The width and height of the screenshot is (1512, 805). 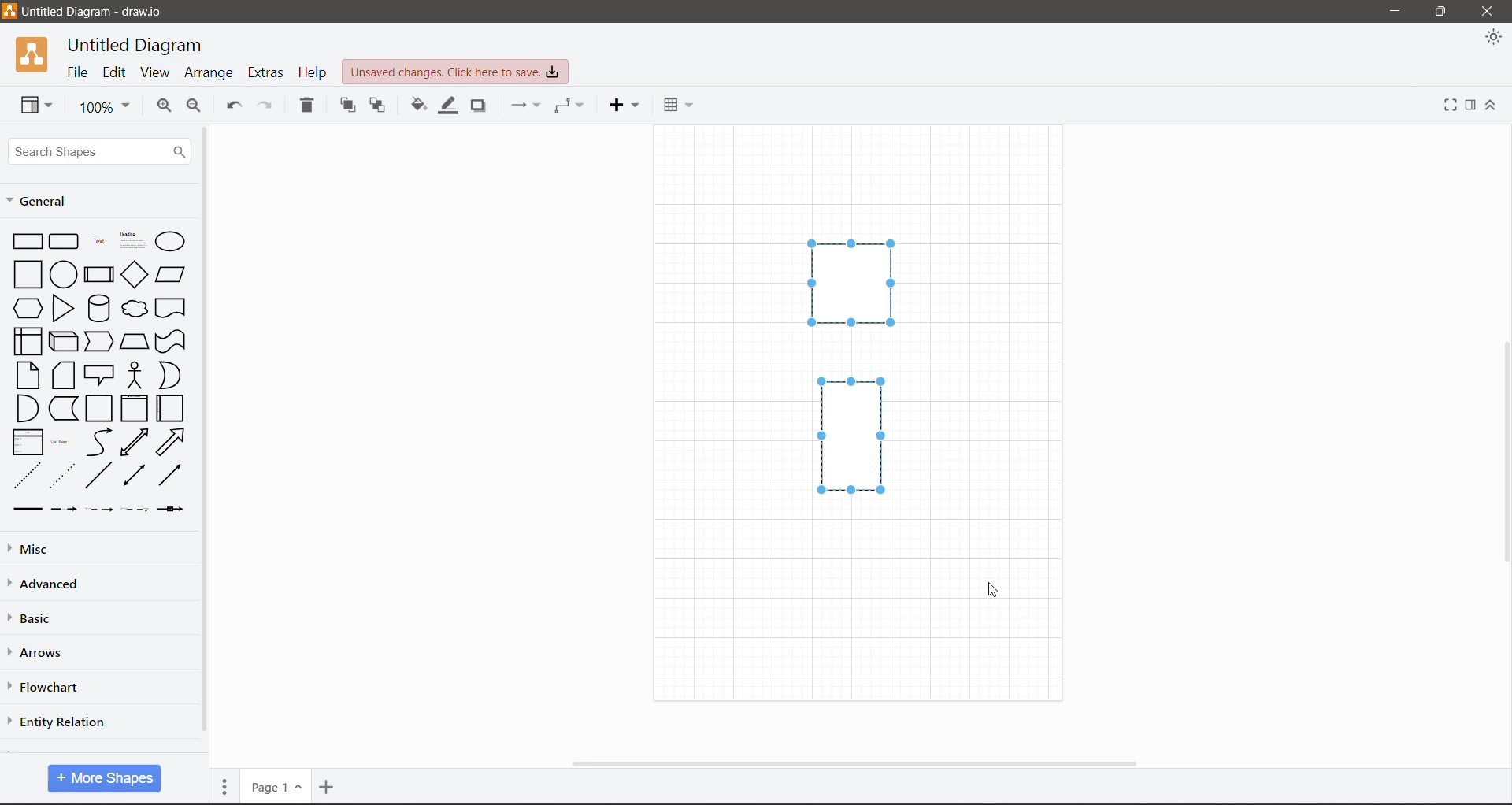 What do you see at coordinates (34, 54) in the screenshot?
I see `Application Logo` at bounding box center [34, 54].